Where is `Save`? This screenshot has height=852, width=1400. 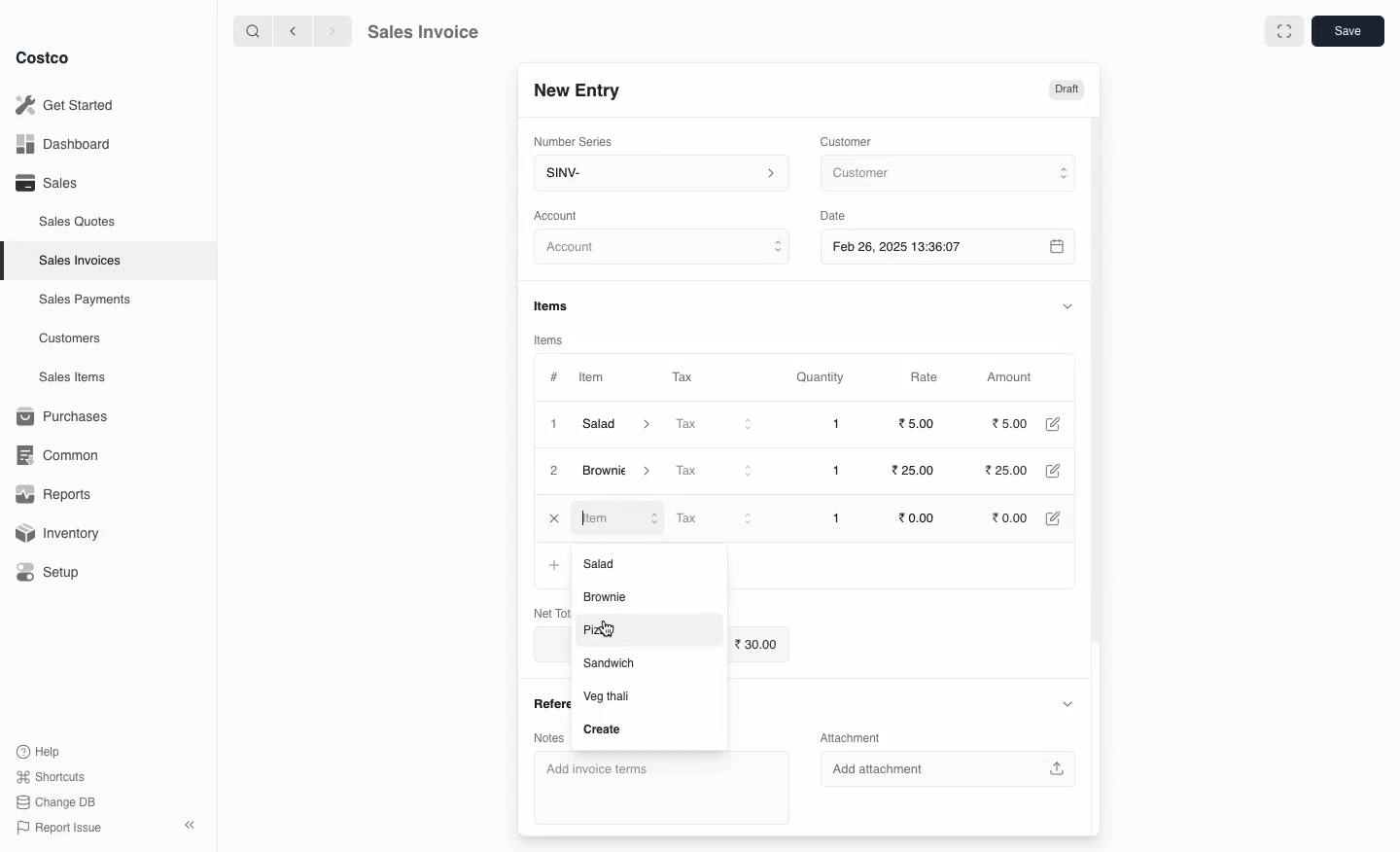
Save is located at coordinates (1350, 33).